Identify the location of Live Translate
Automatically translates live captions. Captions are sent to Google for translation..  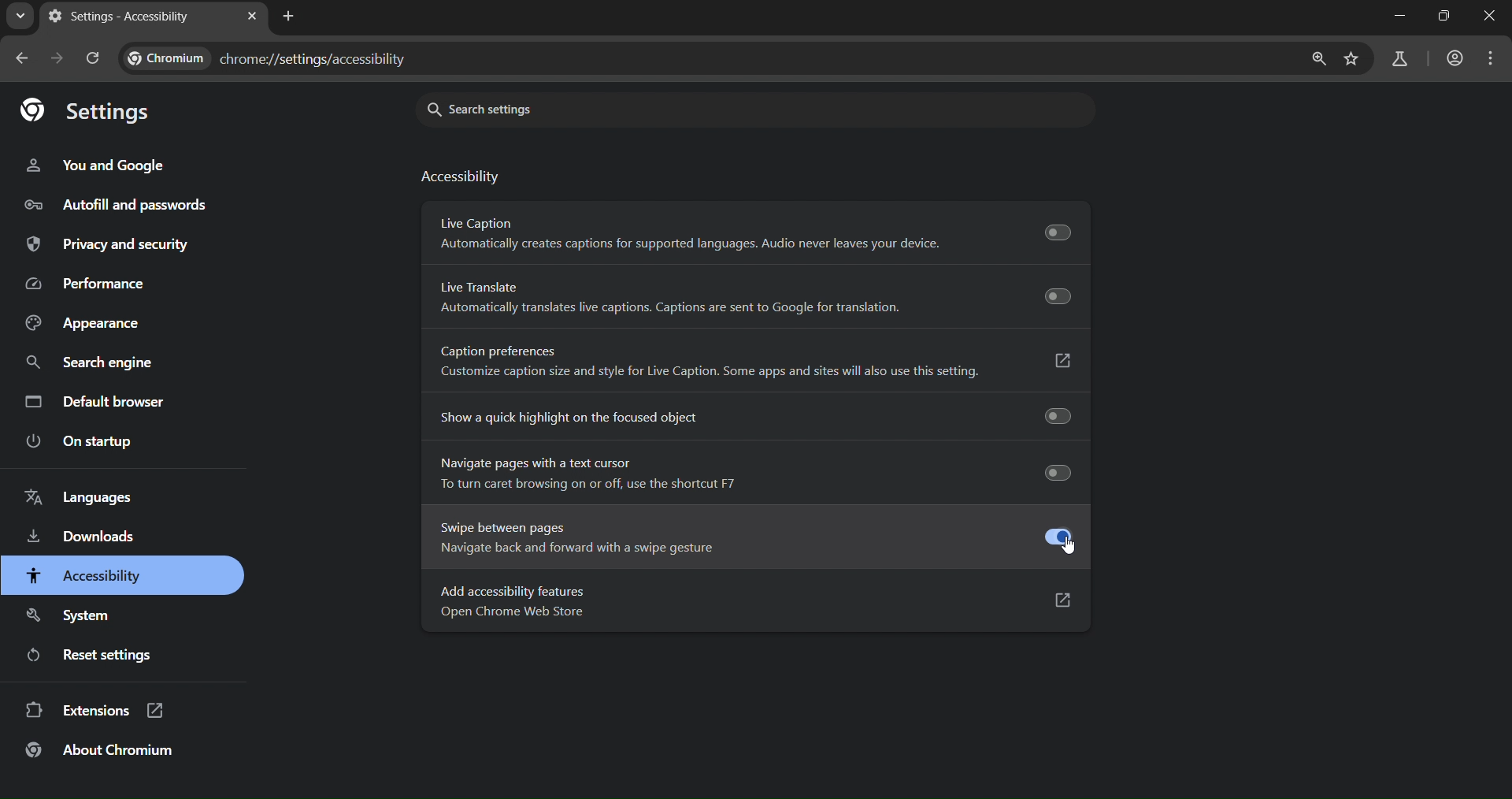
(758, 297).